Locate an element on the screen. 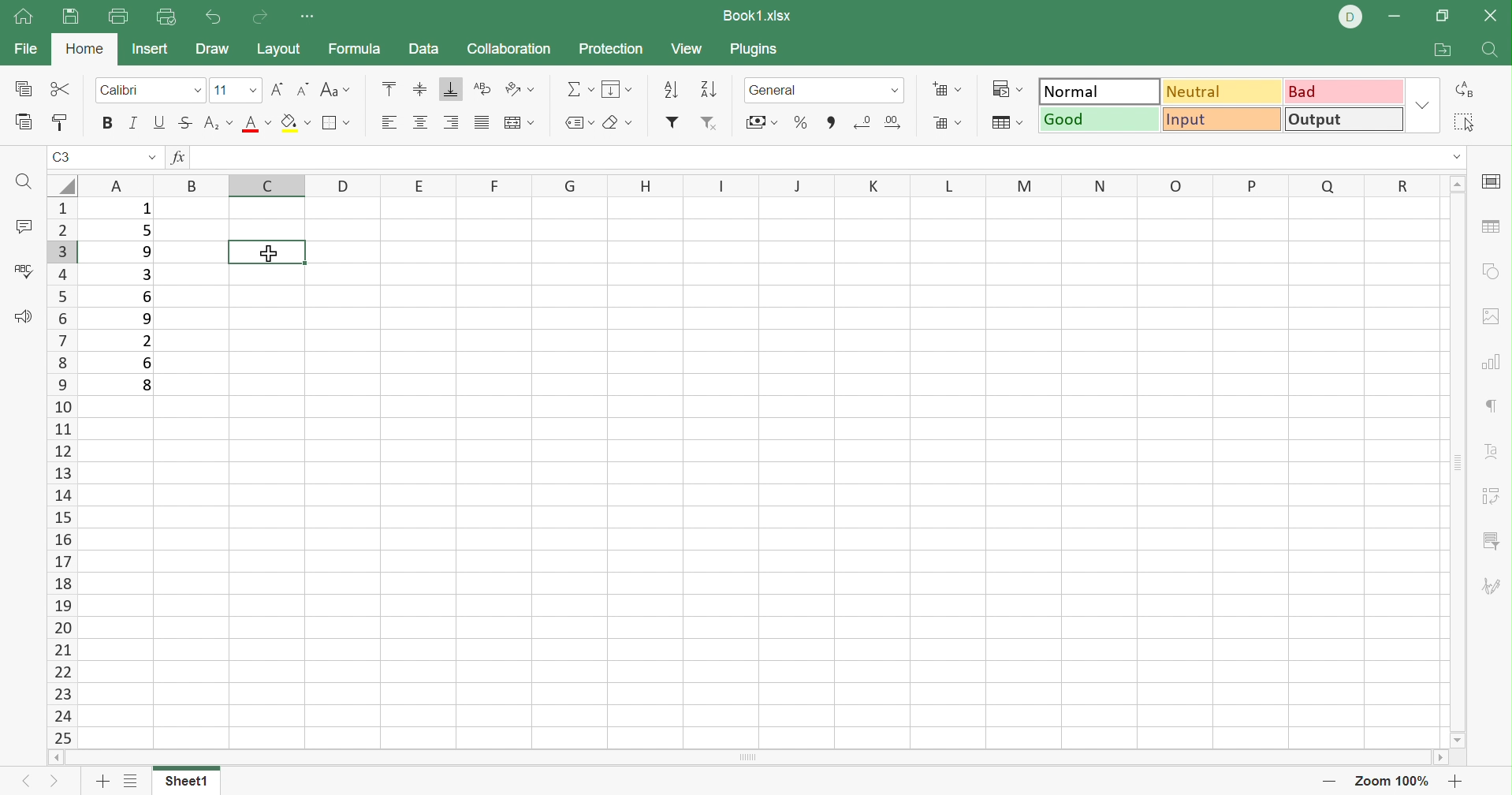 This screenshot has width=1512, height=795. Comment is located at coordinates (22, 226).